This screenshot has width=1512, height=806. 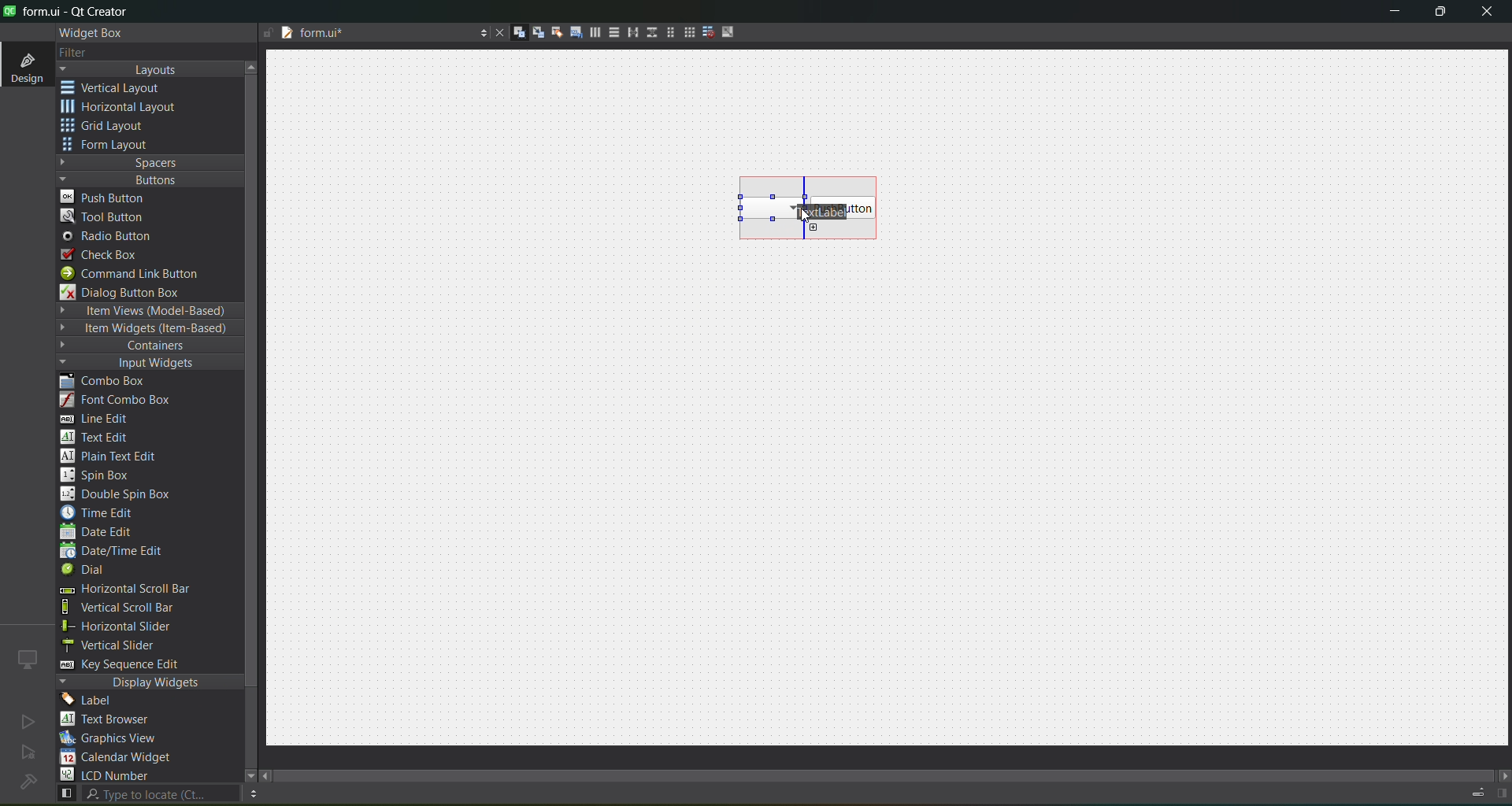 I want to click on no active project, so click(x=28, y=753).